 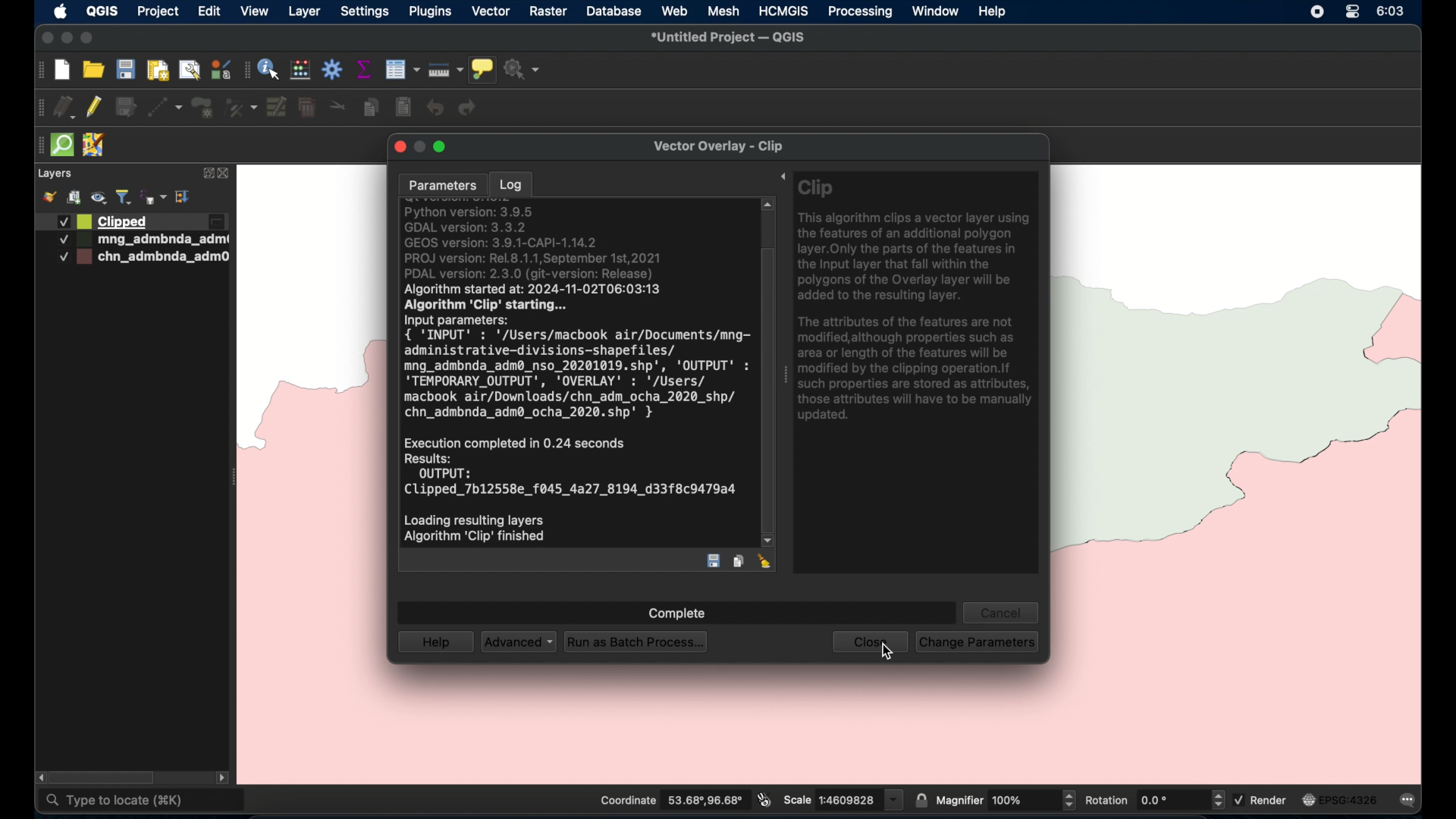 I want to click on project toolbar, so click(x=39, y=71).